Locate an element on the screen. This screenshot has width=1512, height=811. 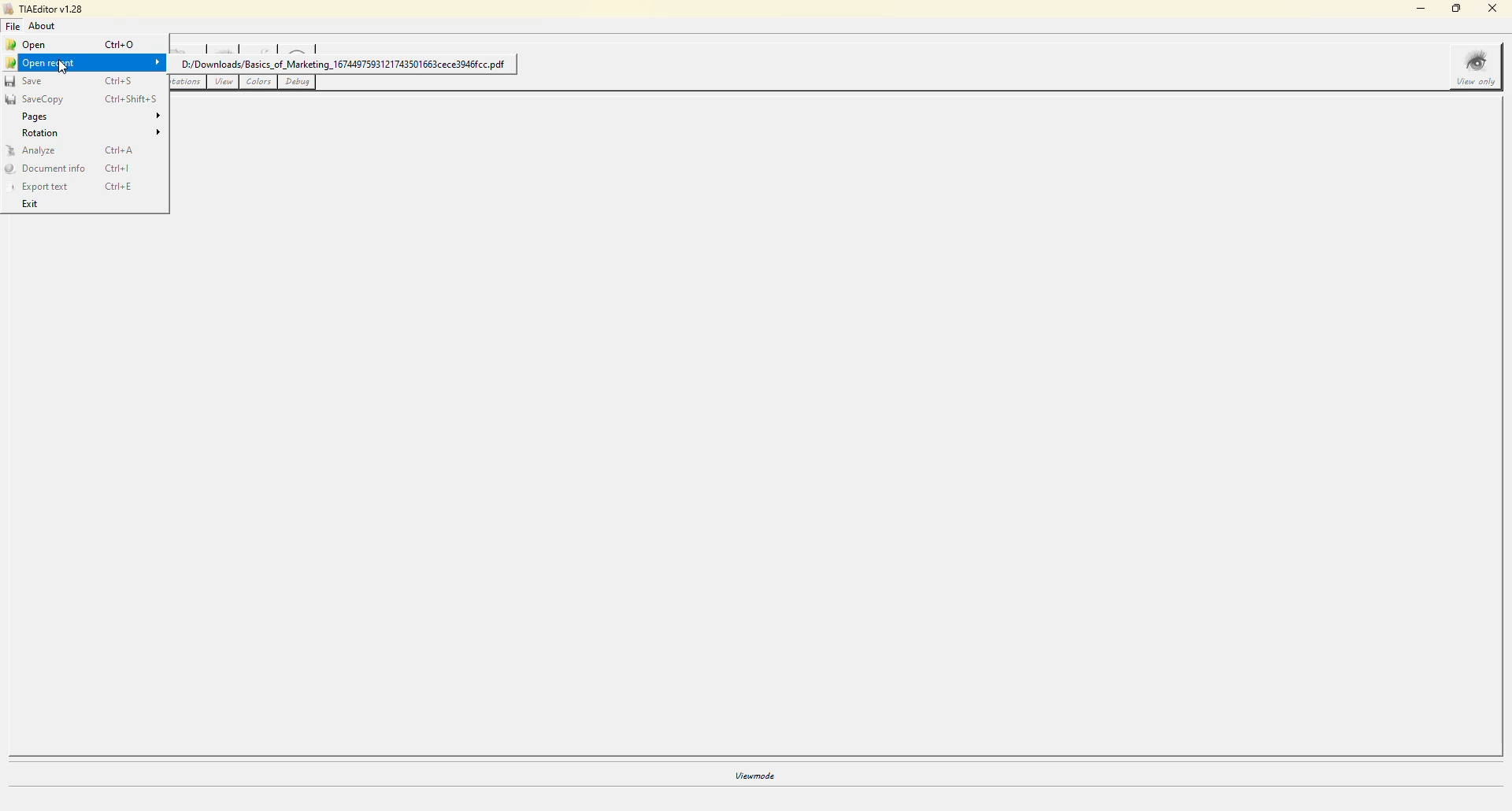
open recent is located at coordinates (85, 63).